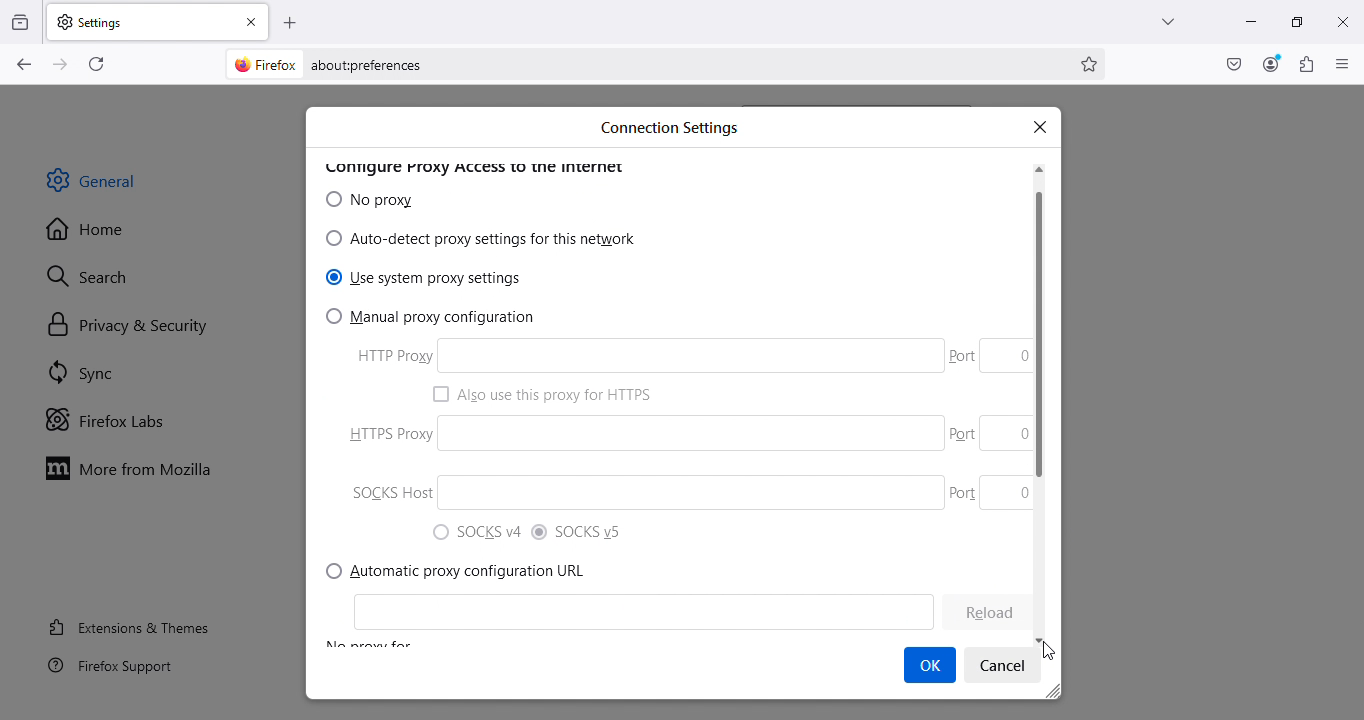  Describe the element at coordinates (134, 467) in the screenshot. I see `Move to Mozilla` at that location.